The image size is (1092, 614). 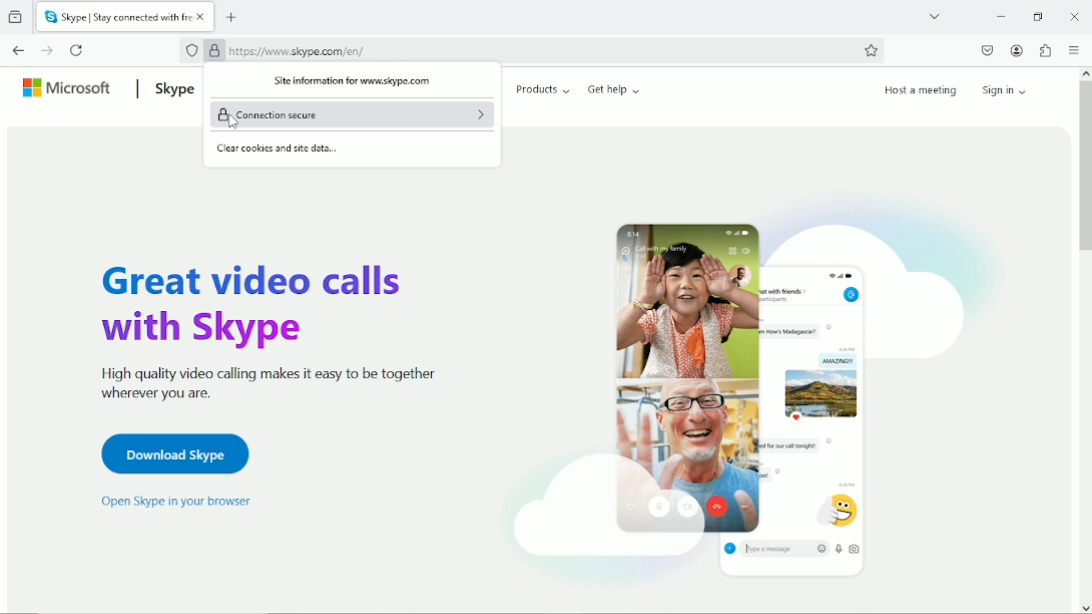 What do you see at coordinates (297, 50) in the screenshot?
I see `httpsy//www.skype.com/en/` at bounding box center [297, 50].